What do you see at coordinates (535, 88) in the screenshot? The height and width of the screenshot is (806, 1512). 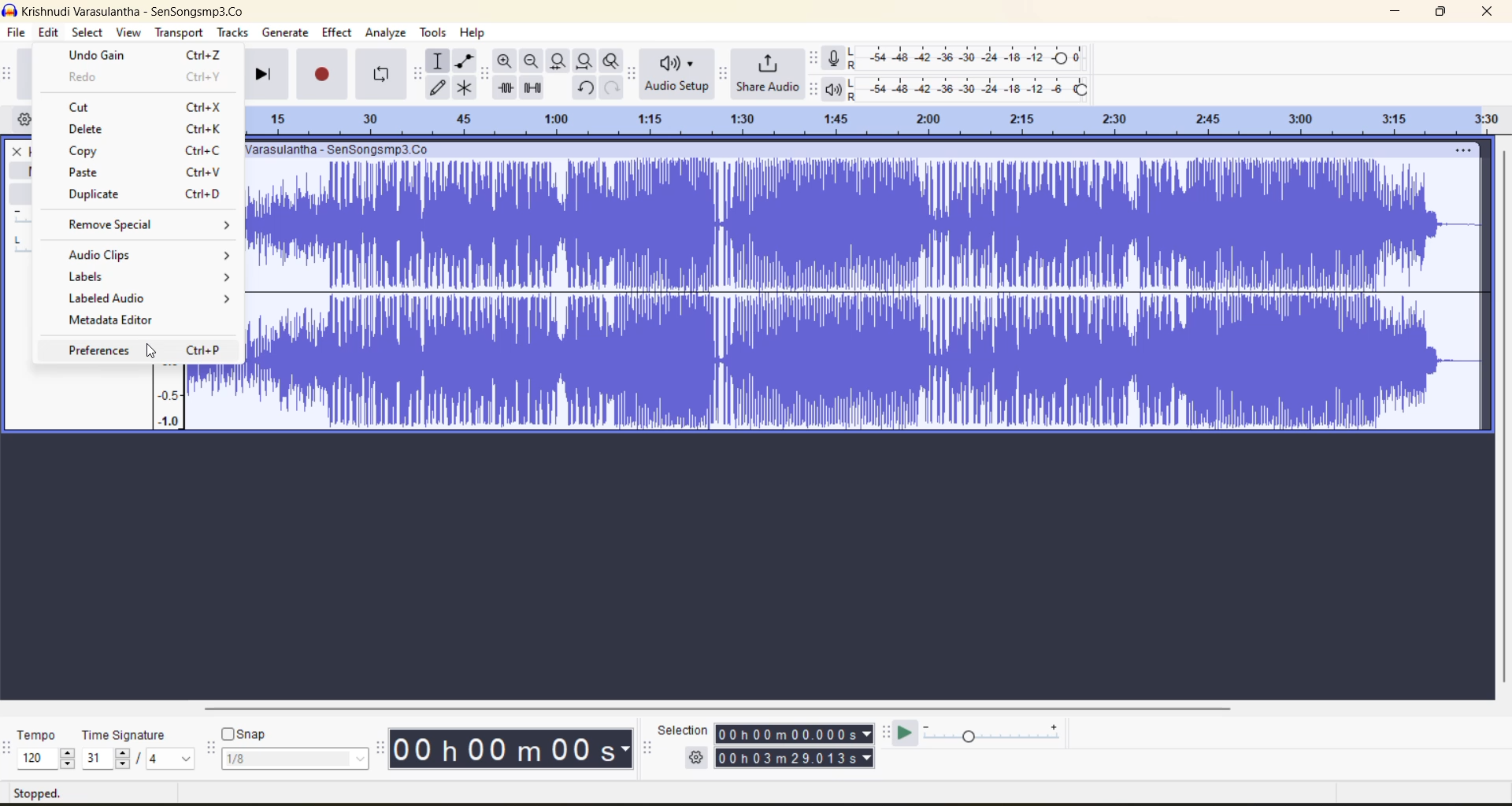 I see `silence audio selection` at bounding box center [535, 88].